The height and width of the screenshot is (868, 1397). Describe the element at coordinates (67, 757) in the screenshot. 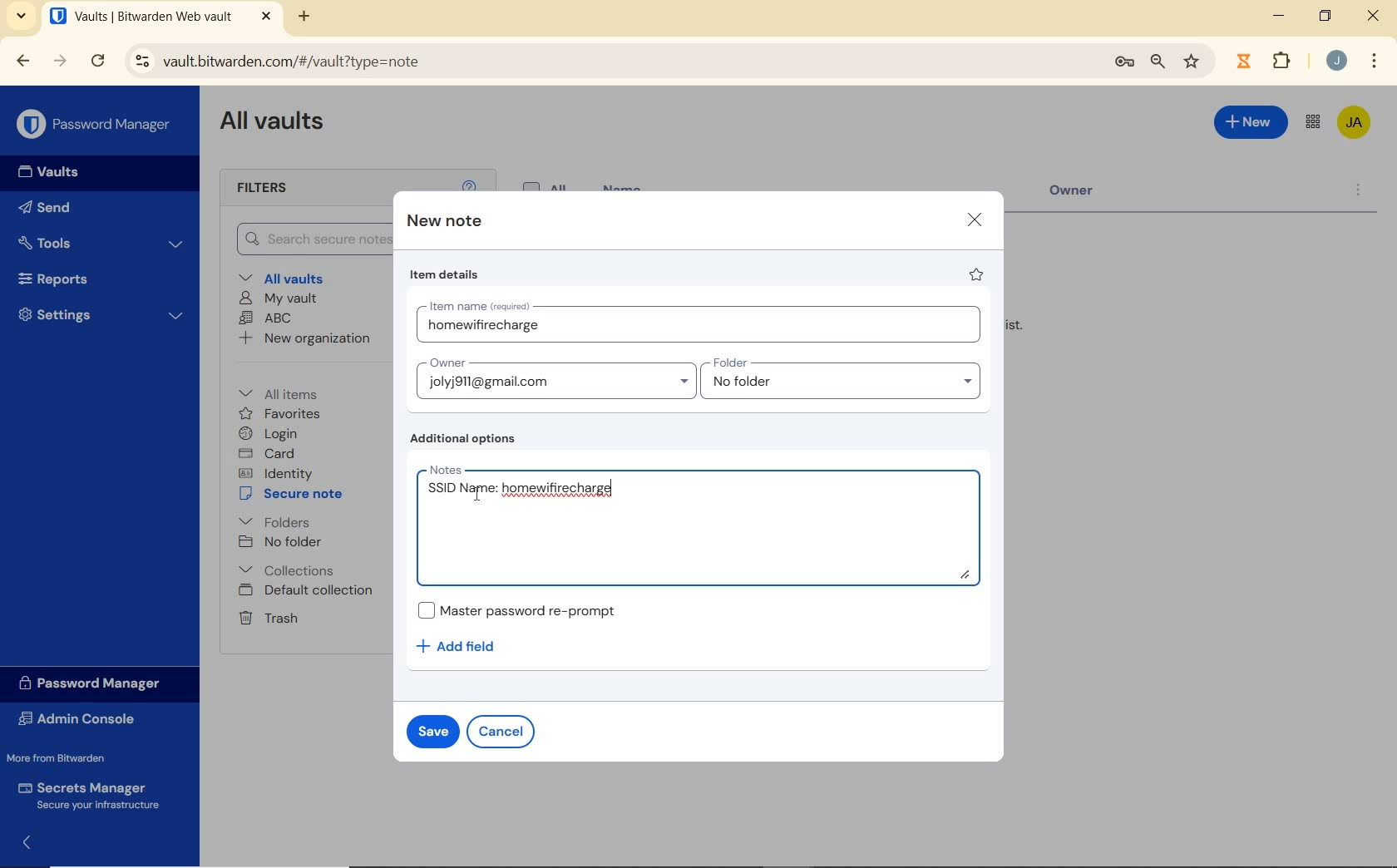

I see `More from Bitwarden` at that location.